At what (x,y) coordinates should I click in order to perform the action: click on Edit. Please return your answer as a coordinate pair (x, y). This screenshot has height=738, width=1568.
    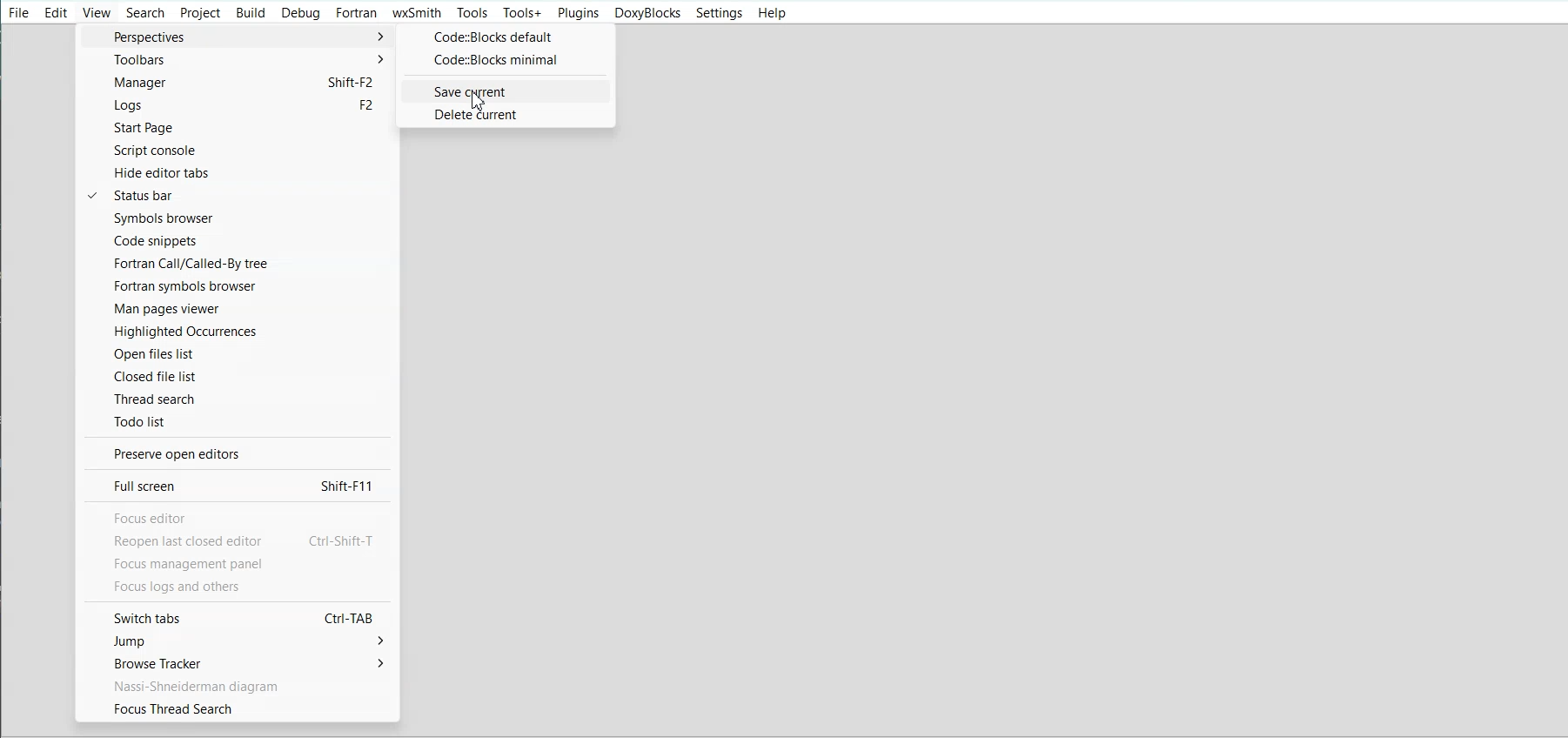
    Looking at the image, I should click on (56, 12).